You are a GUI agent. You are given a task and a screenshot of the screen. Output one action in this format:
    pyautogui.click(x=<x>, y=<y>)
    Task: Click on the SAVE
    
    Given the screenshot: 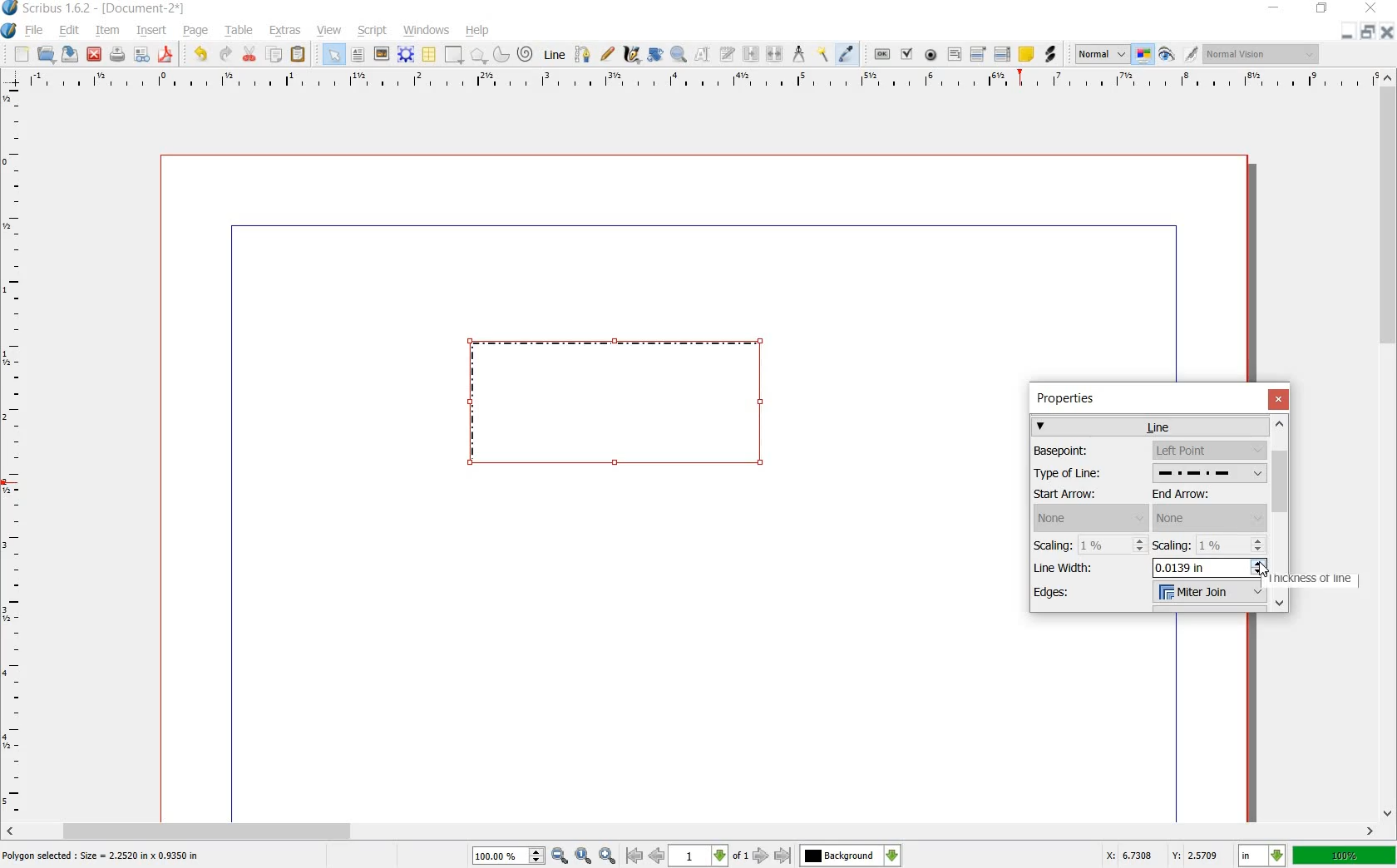 What is the action you would take?
    pyautogui.click(x=68, y=54)
    